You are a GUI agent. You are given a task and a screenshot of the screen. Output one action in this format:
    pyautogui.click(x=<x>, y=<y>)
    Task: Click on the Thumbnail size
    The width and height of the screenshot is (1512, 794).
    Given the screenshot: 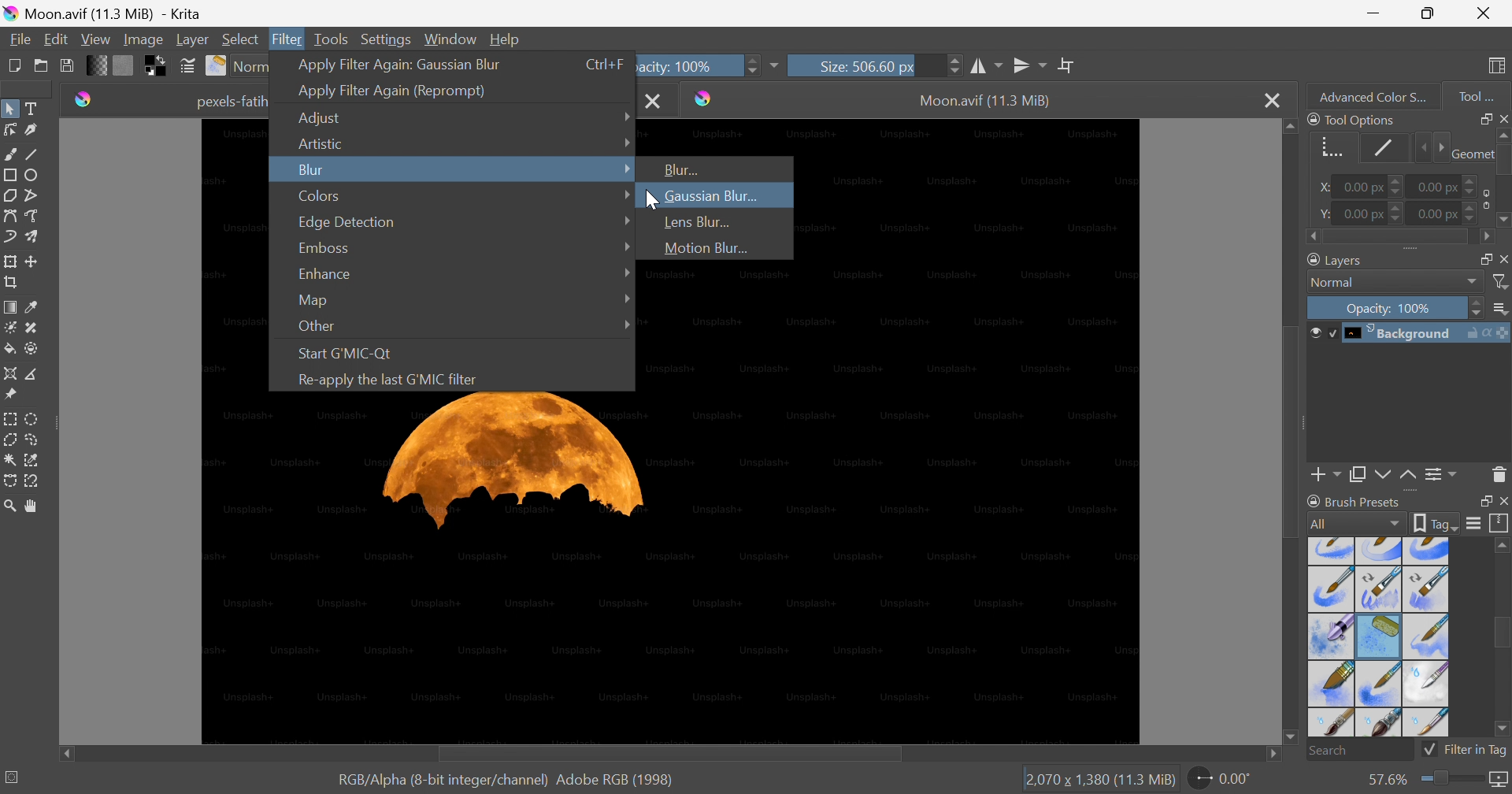 What is the action you would take?
    pyautogui.click(x=1499, y=309)
    